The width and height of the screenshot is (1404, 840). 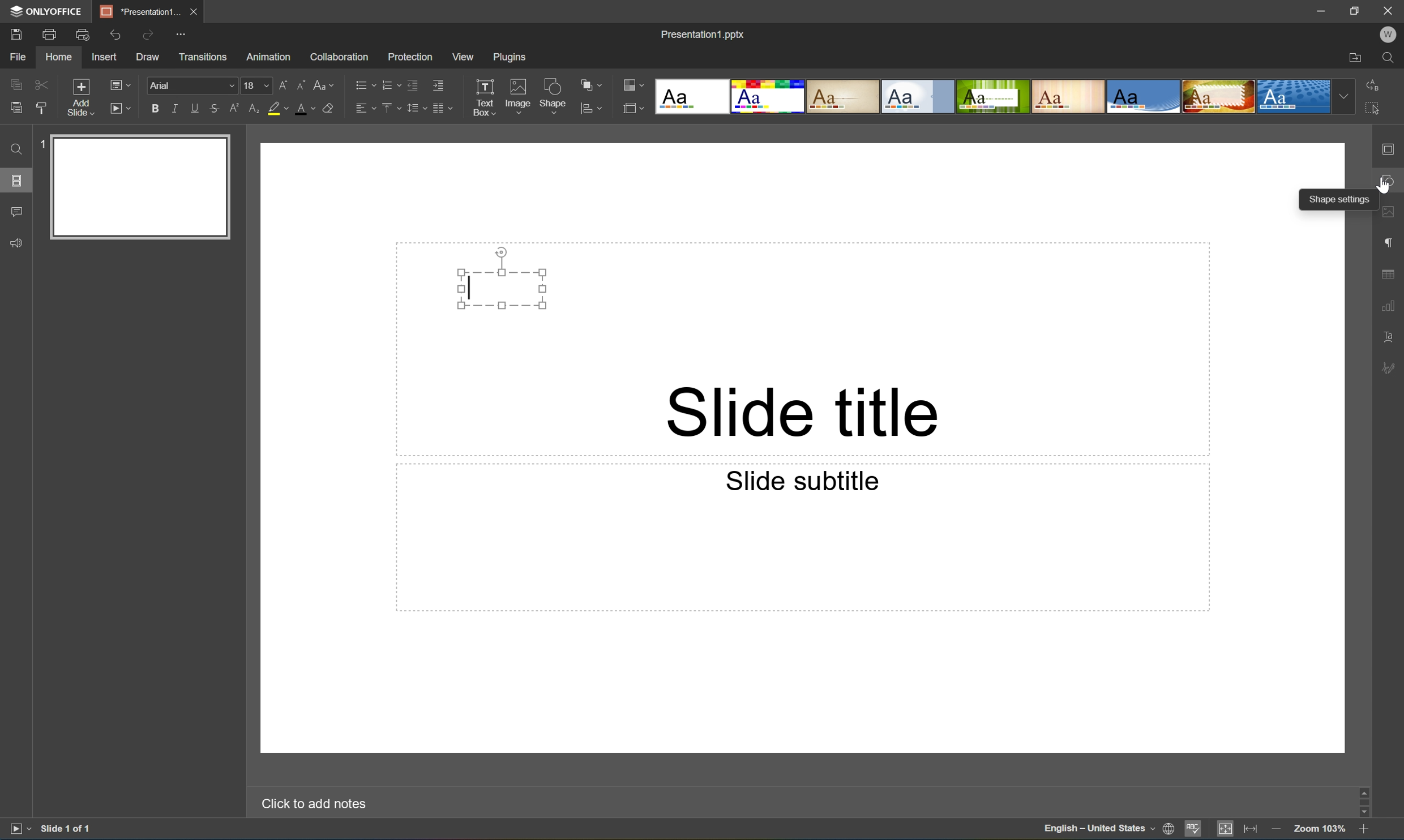 I want to click on Scroll Down, so click(x=1363, y=812).